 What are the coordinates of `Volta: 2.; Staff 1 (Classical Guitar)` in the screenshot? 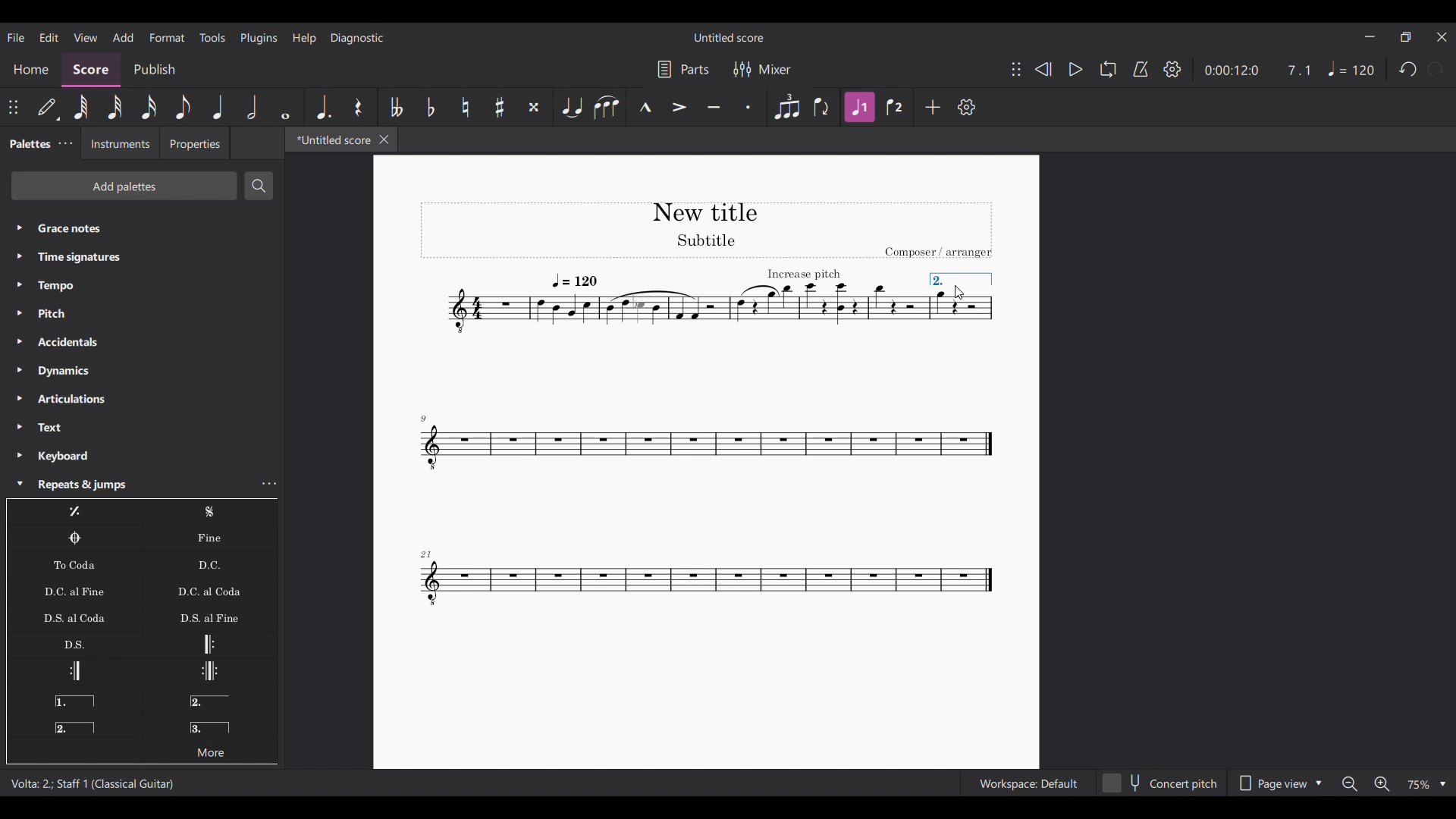 It's located at (94, 783).